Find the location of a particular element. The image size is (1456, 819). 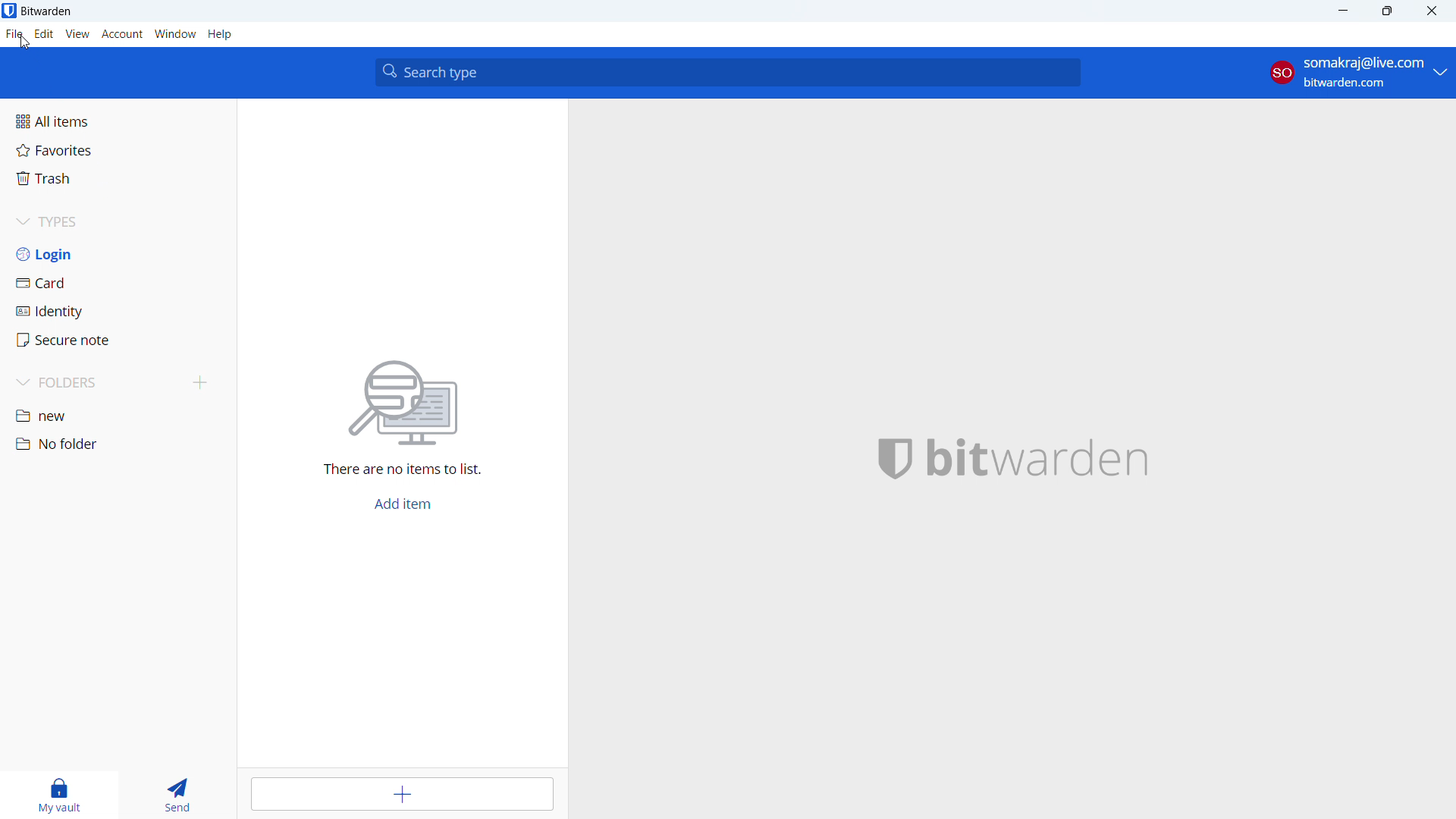

help is located at coordinates (221, 35).